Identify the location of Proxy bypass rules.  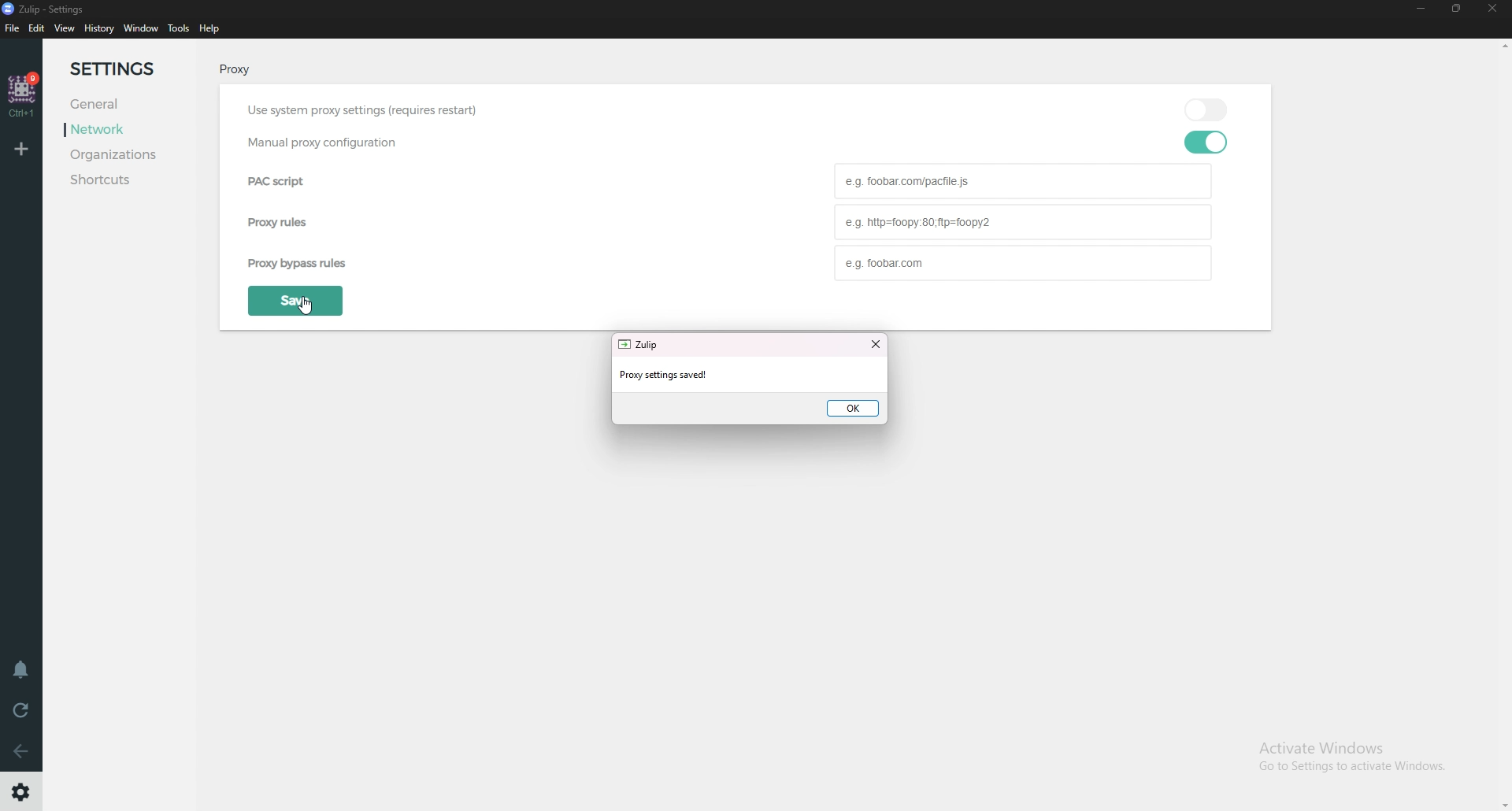
(1023, 262).